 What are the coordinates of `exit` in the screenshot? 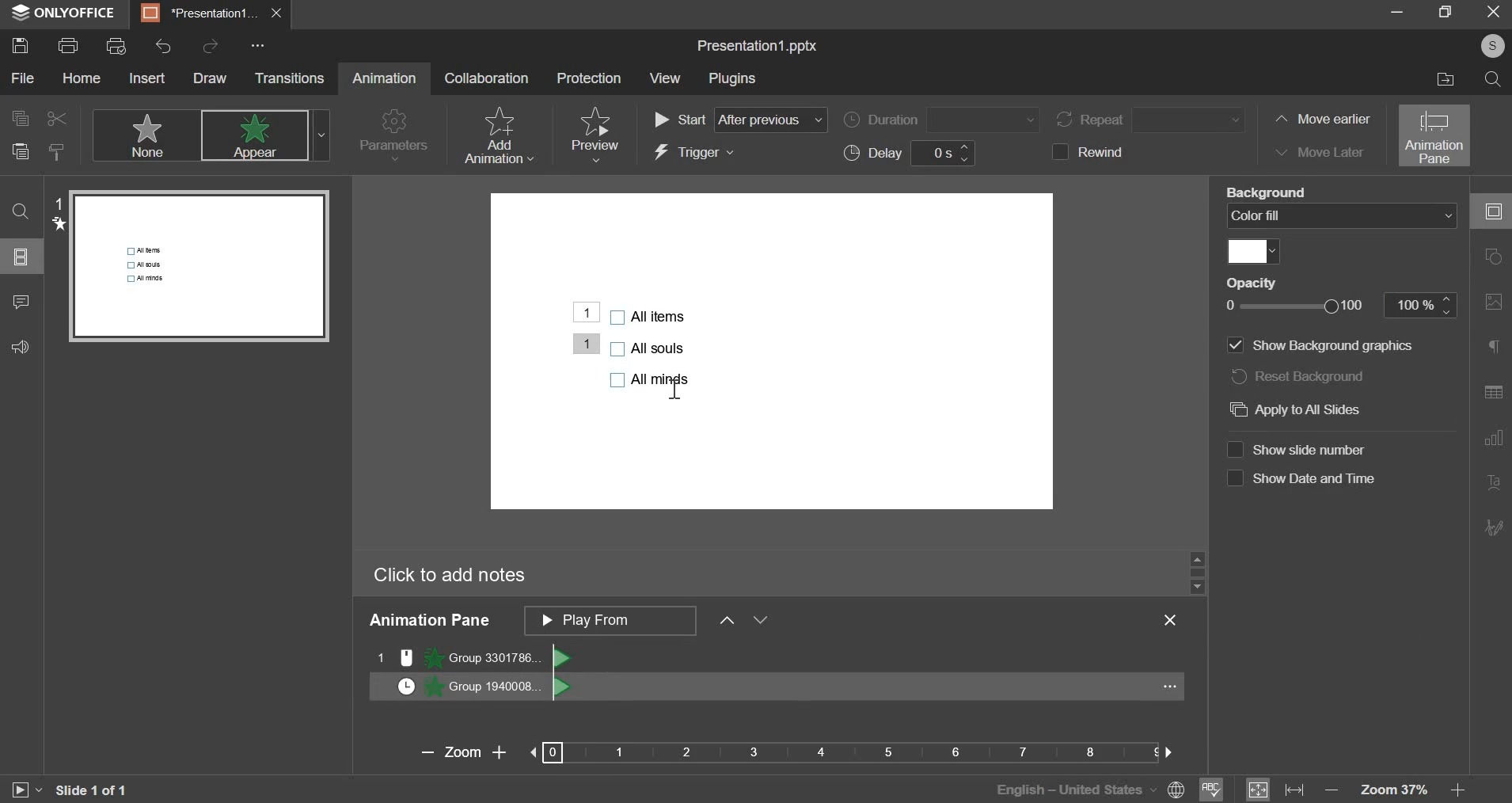 It's located at (275, 13).